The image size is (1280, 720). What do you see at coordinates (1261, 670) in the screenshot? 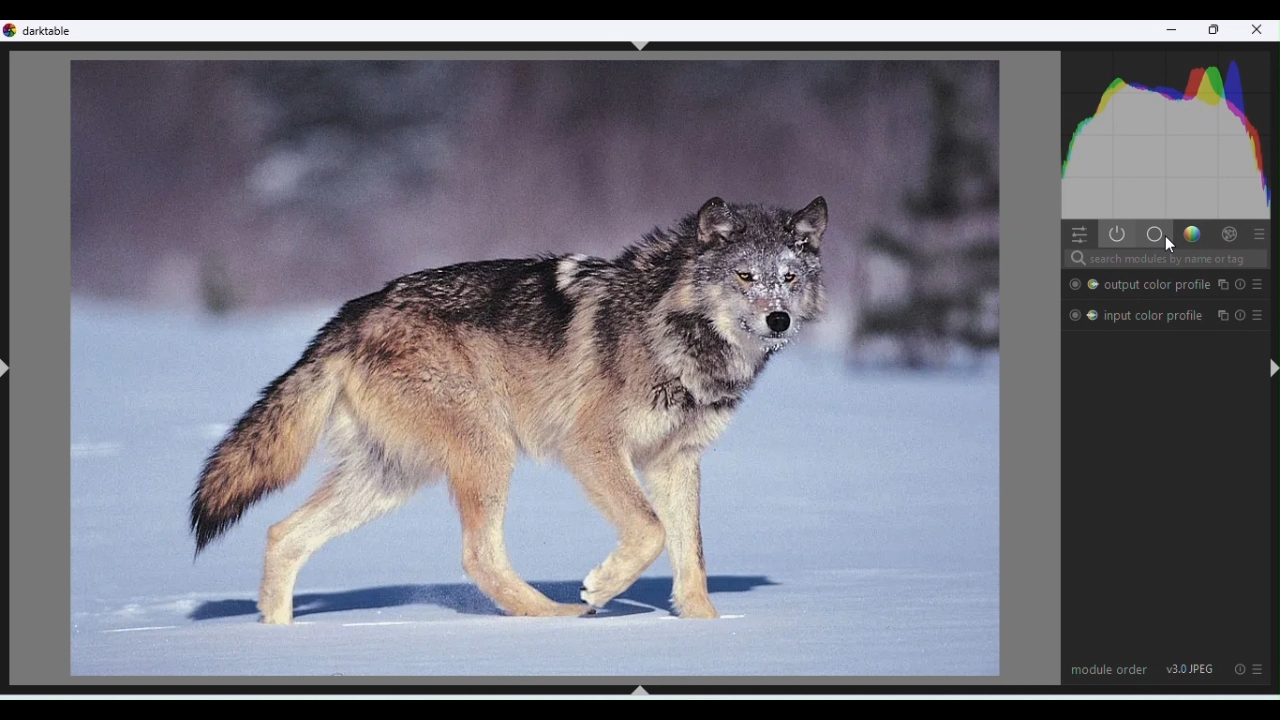
I see `Preset` at bounding box center [1261, 670].